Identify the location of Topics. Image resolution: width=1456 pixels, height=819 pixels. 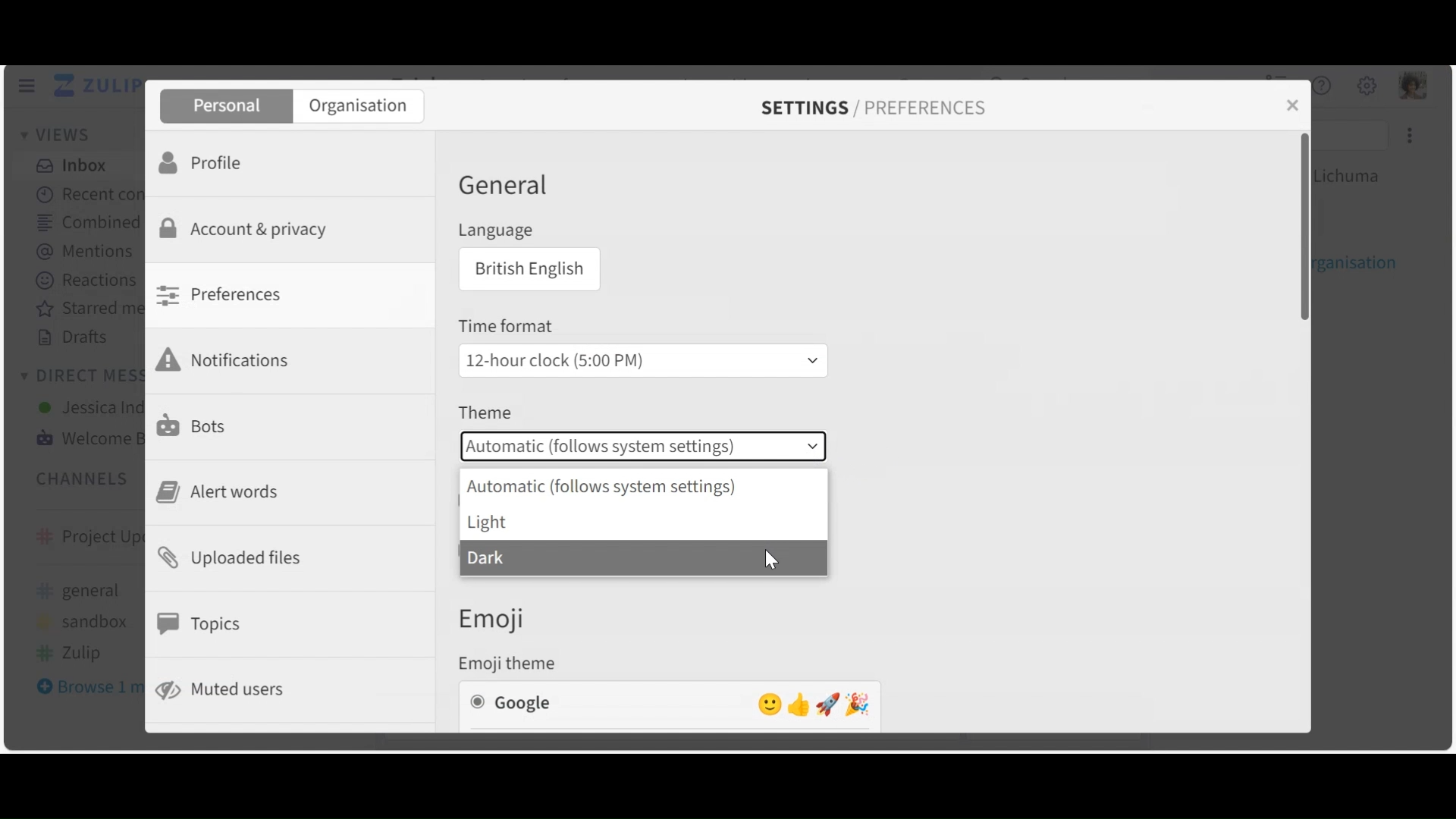
(202, 623).